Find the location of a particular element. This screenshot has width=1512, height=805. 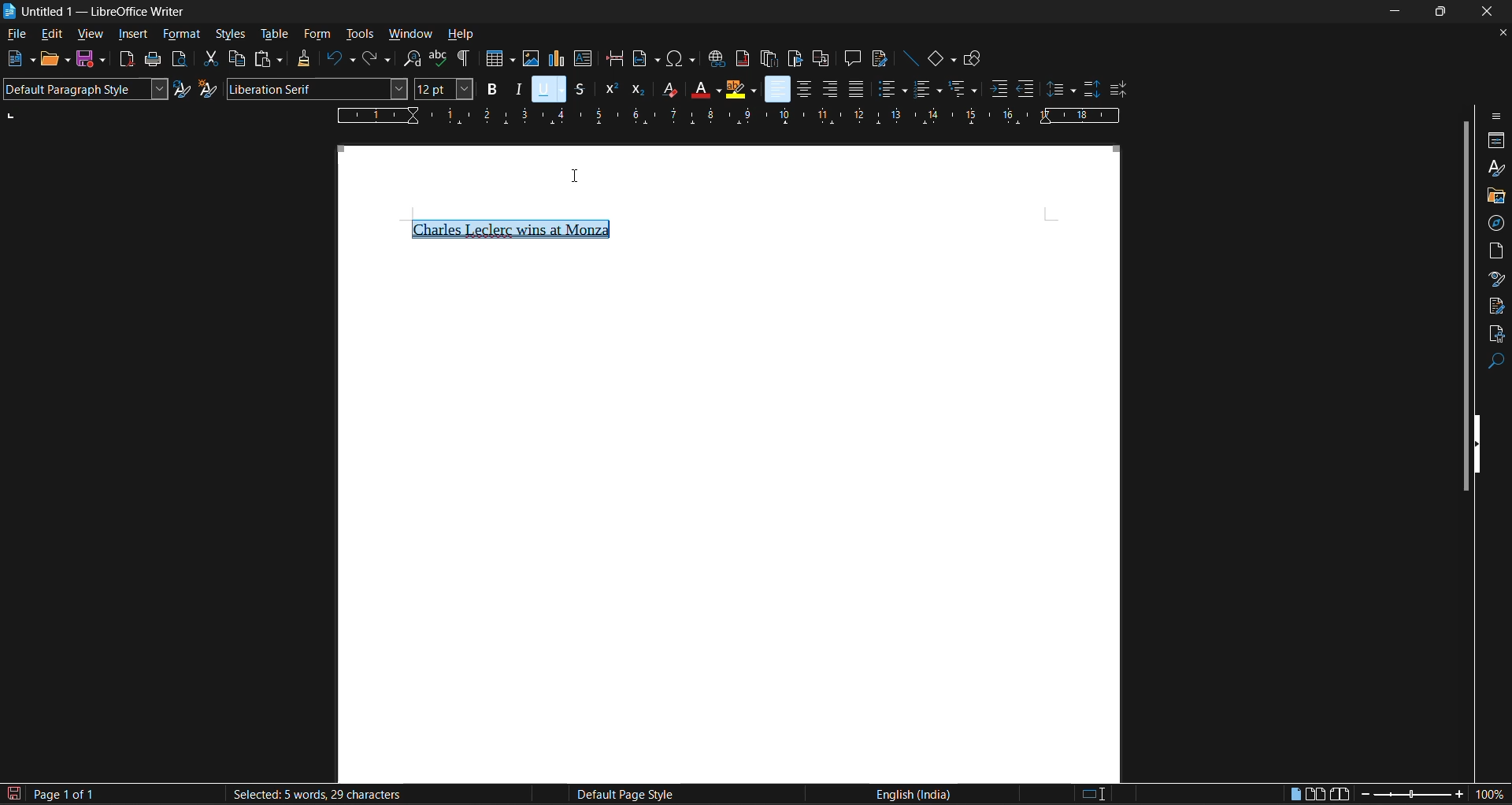

bold is located at coordinates (490, 88).